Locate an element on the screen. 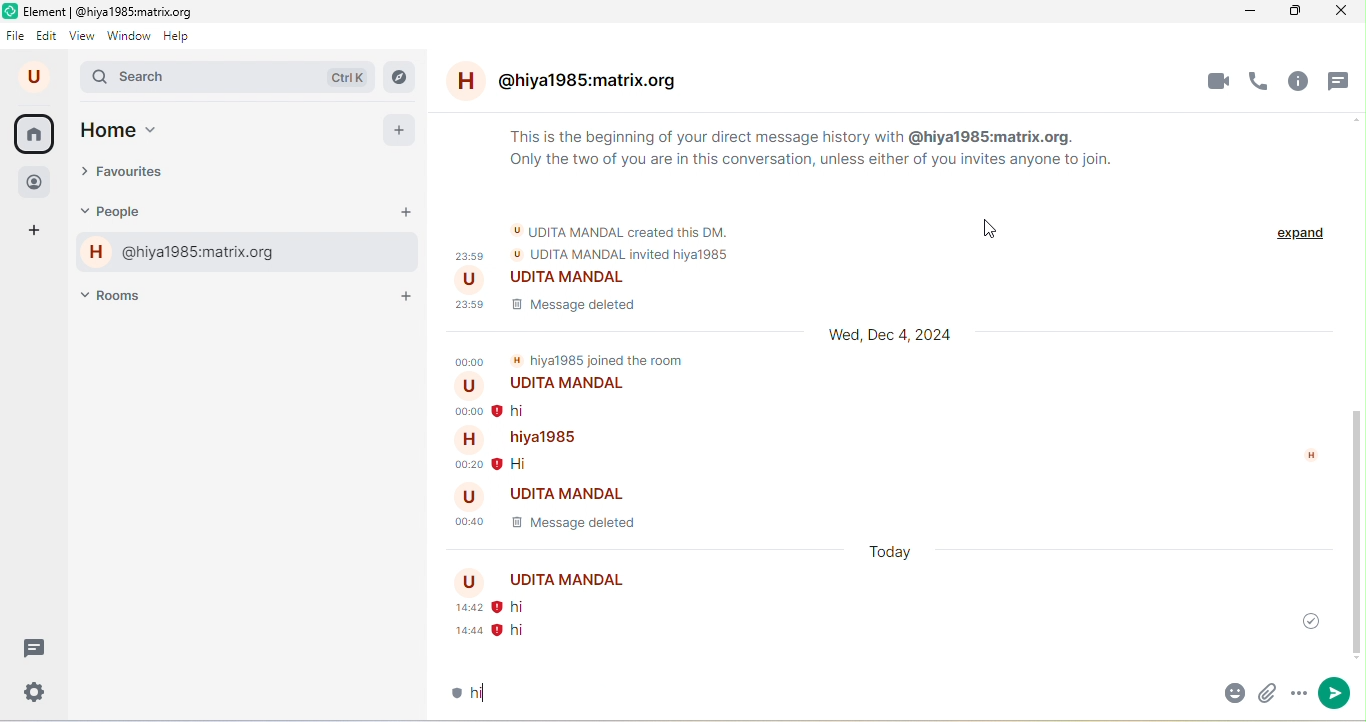 The height and width of the screenshot is (722, 1366). start a chat is located at coordinates (406, 213).